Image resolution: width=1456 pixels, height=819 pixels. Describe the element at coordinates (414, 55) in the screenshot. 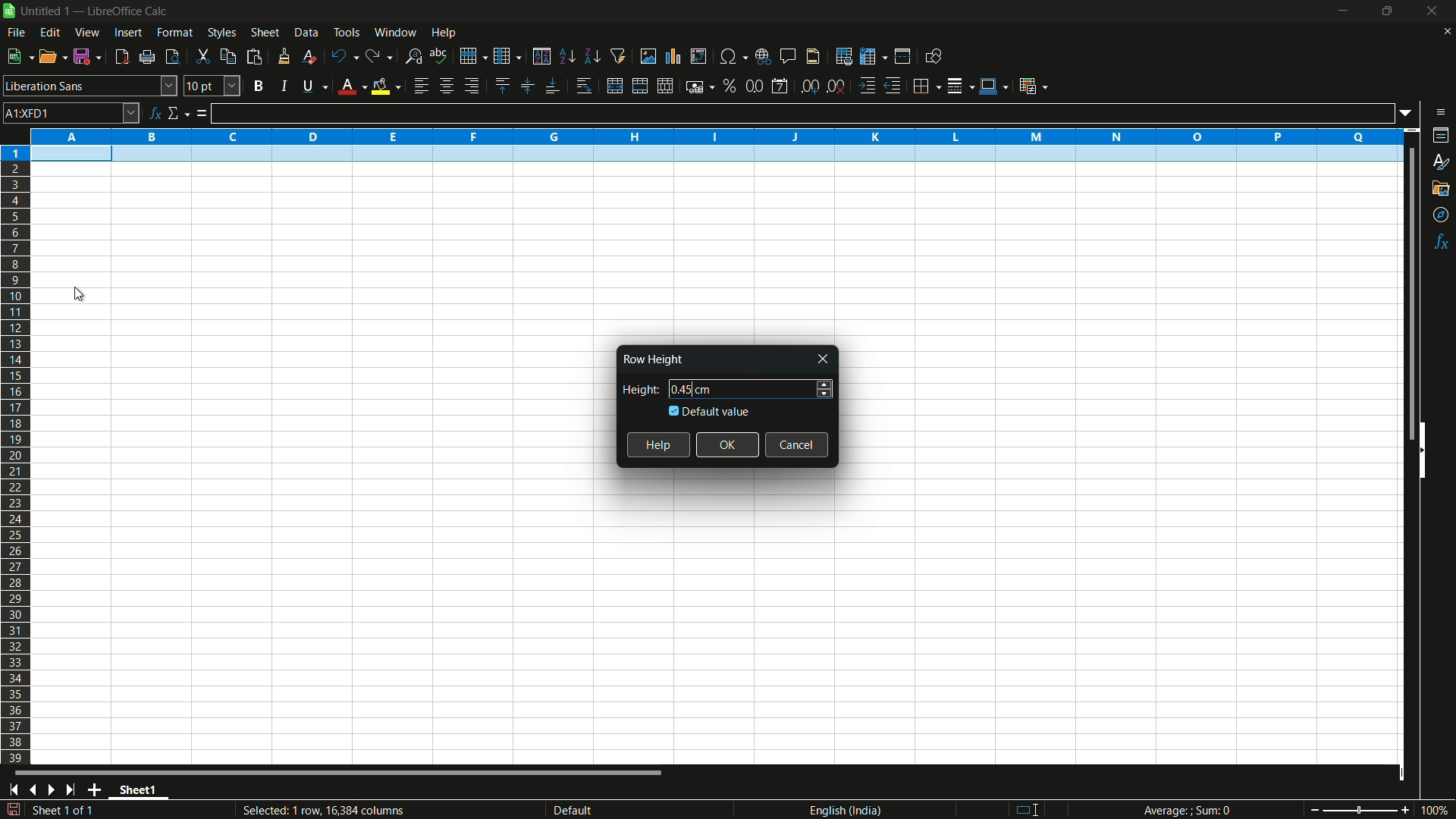

I see `find and replace` at that location.